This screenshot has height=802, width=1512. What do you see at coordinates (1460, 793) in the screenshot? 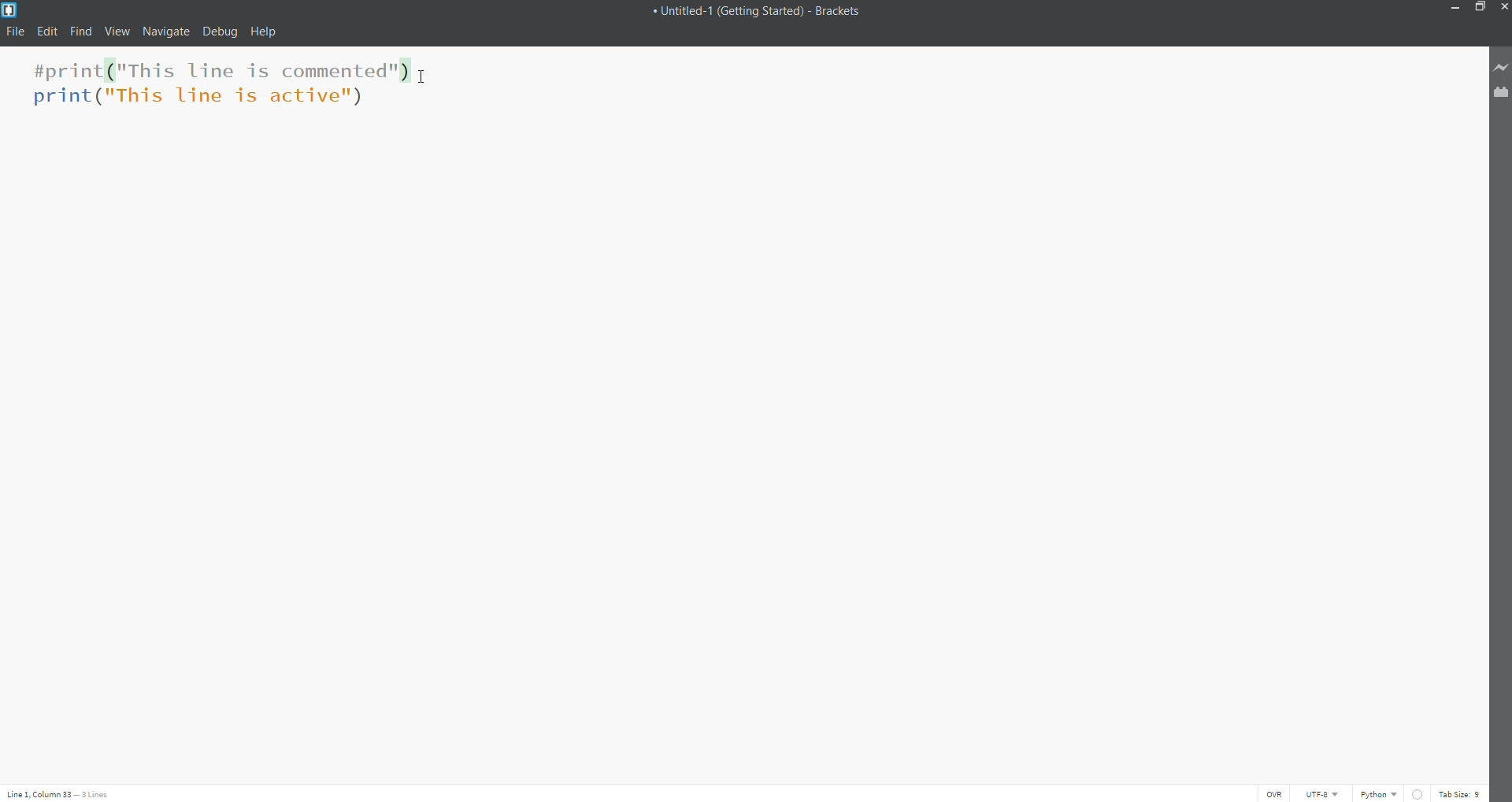
I see `Tab Size` at bounding box center [1460, 793].